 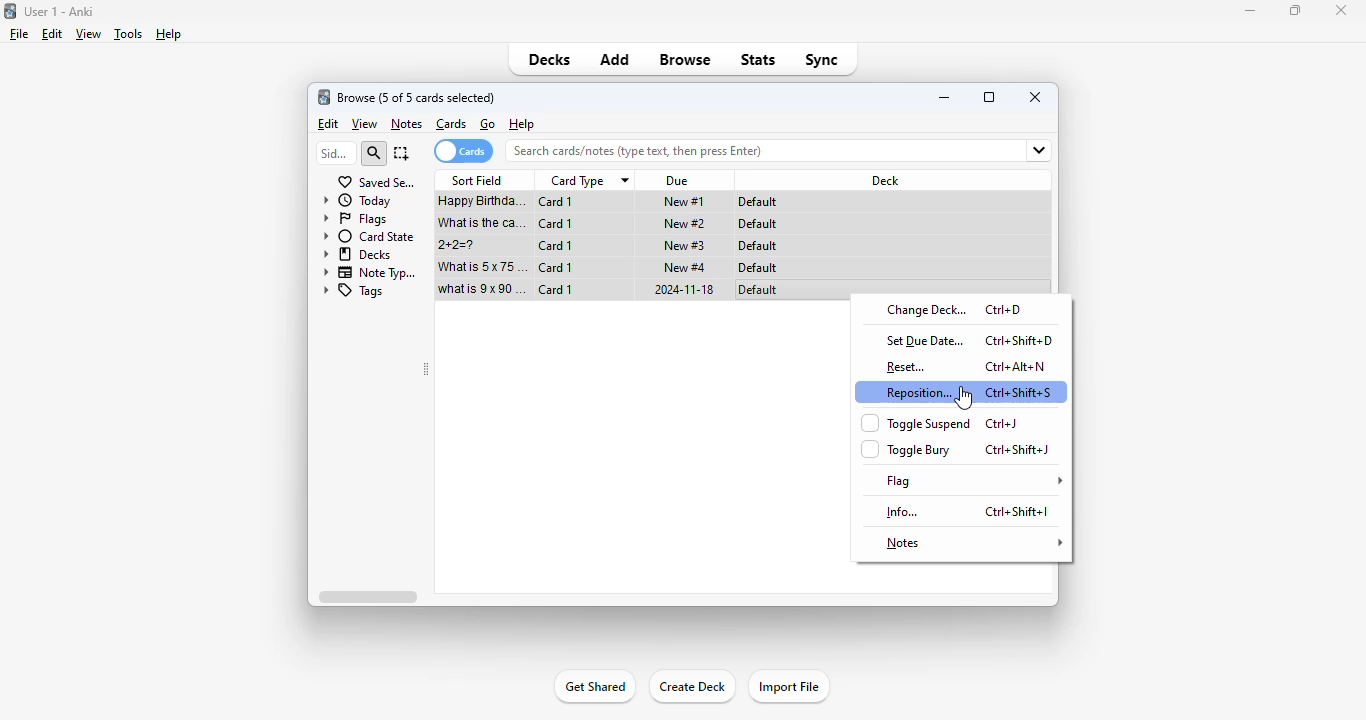 What do you see at coordinates (757, 246) in the screenshot?
I see `default` at bounding box center [757, 246].